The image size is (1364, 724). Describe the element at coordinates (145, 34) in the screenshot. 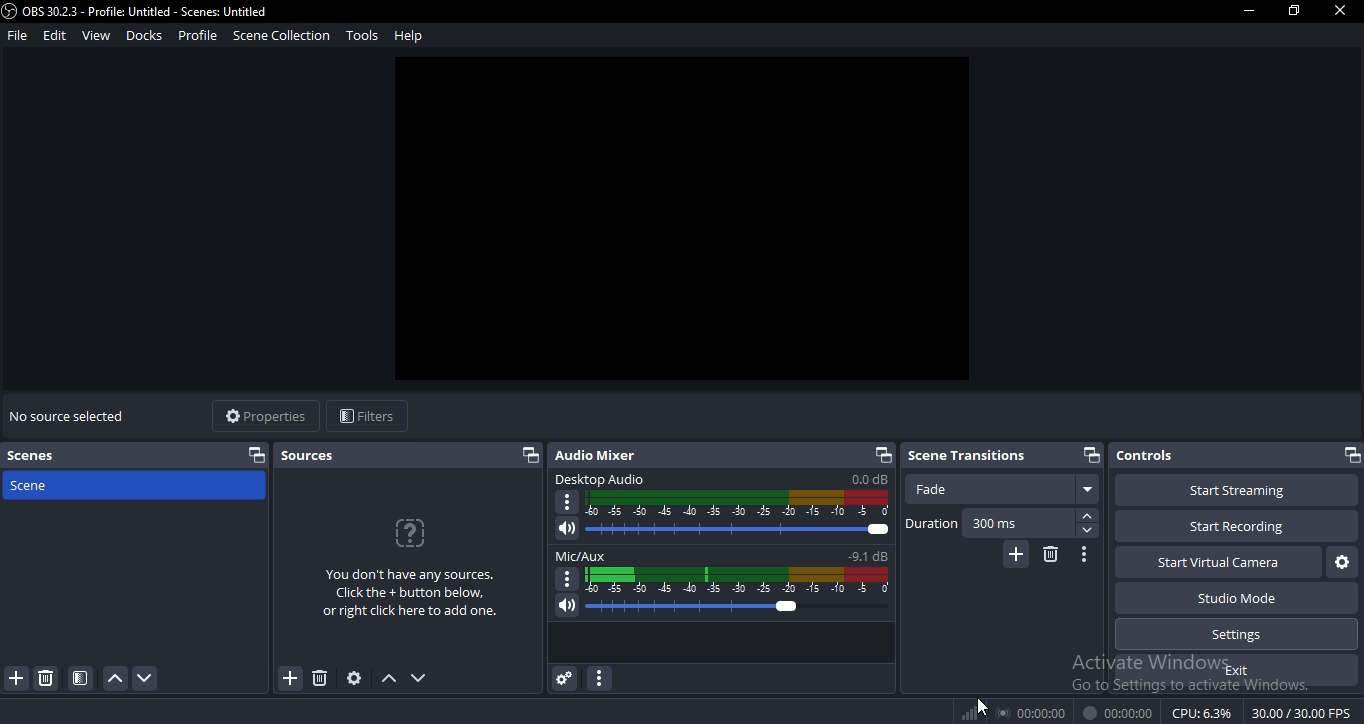

I see `docks` at that location.